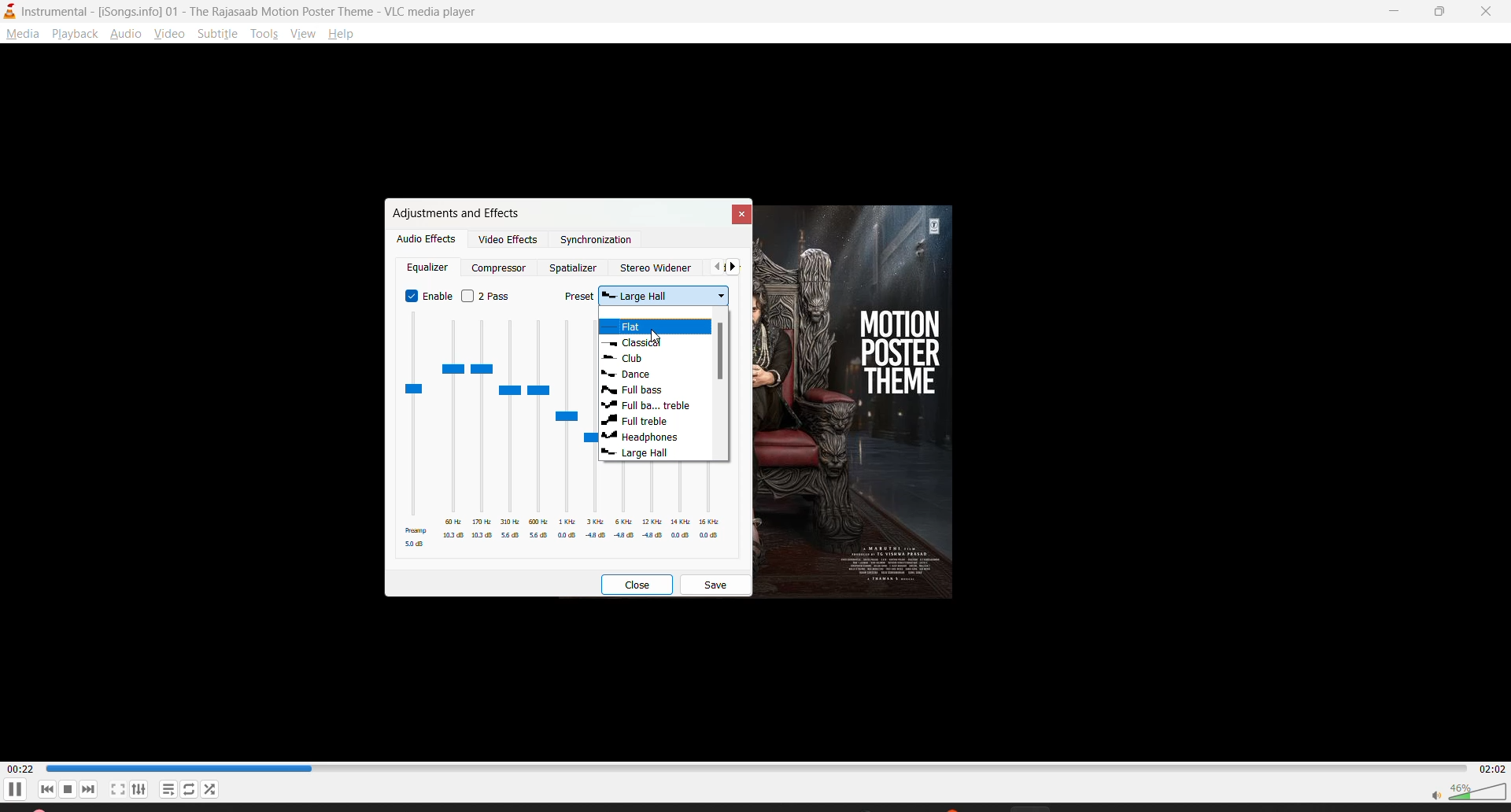 This screenshot has height=812, width=1511. I want to click on club, so click(629, 359).